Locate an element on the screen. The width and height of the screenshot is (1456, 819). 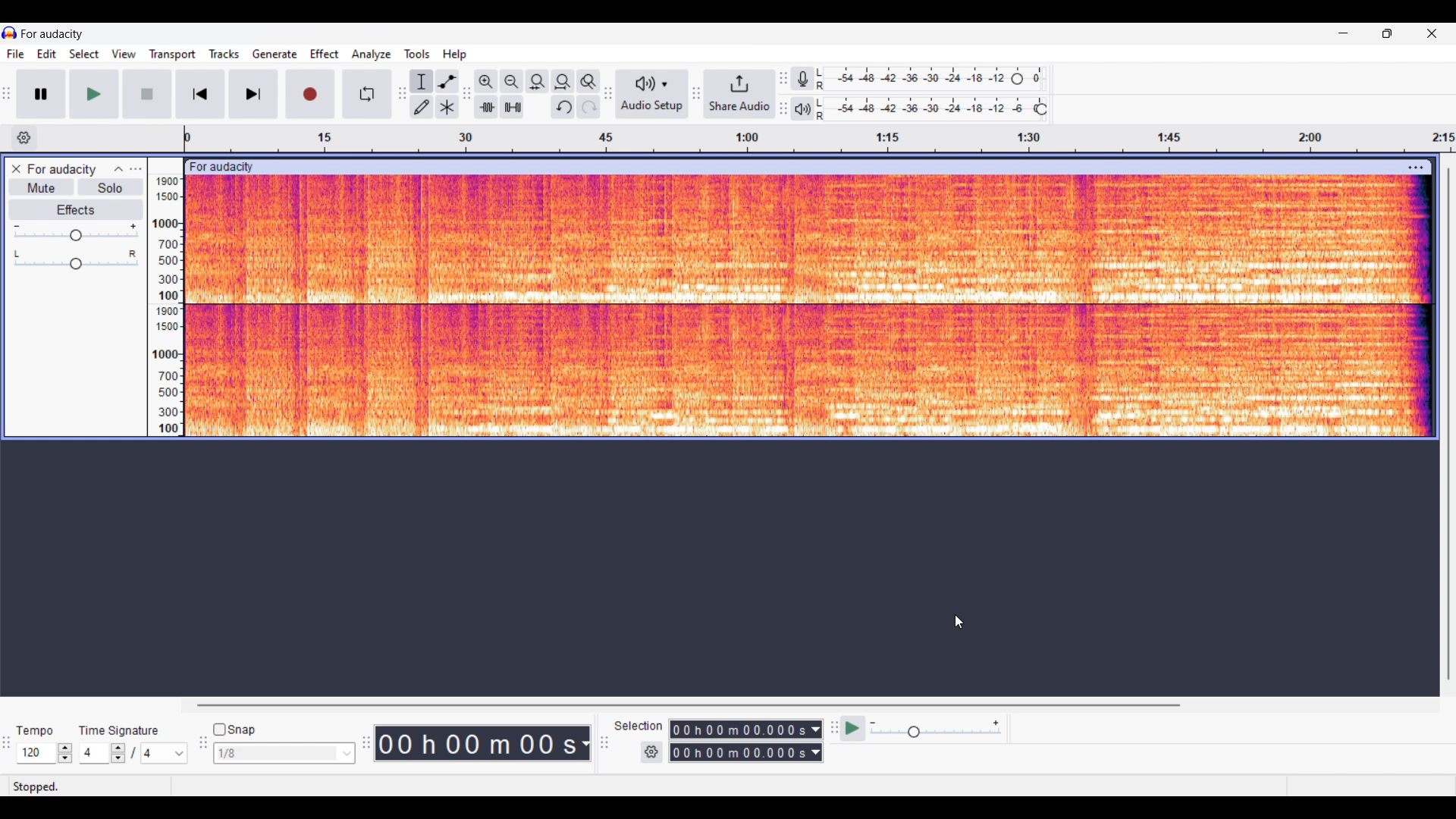
Multi tool is located at coordinates (447, 107).